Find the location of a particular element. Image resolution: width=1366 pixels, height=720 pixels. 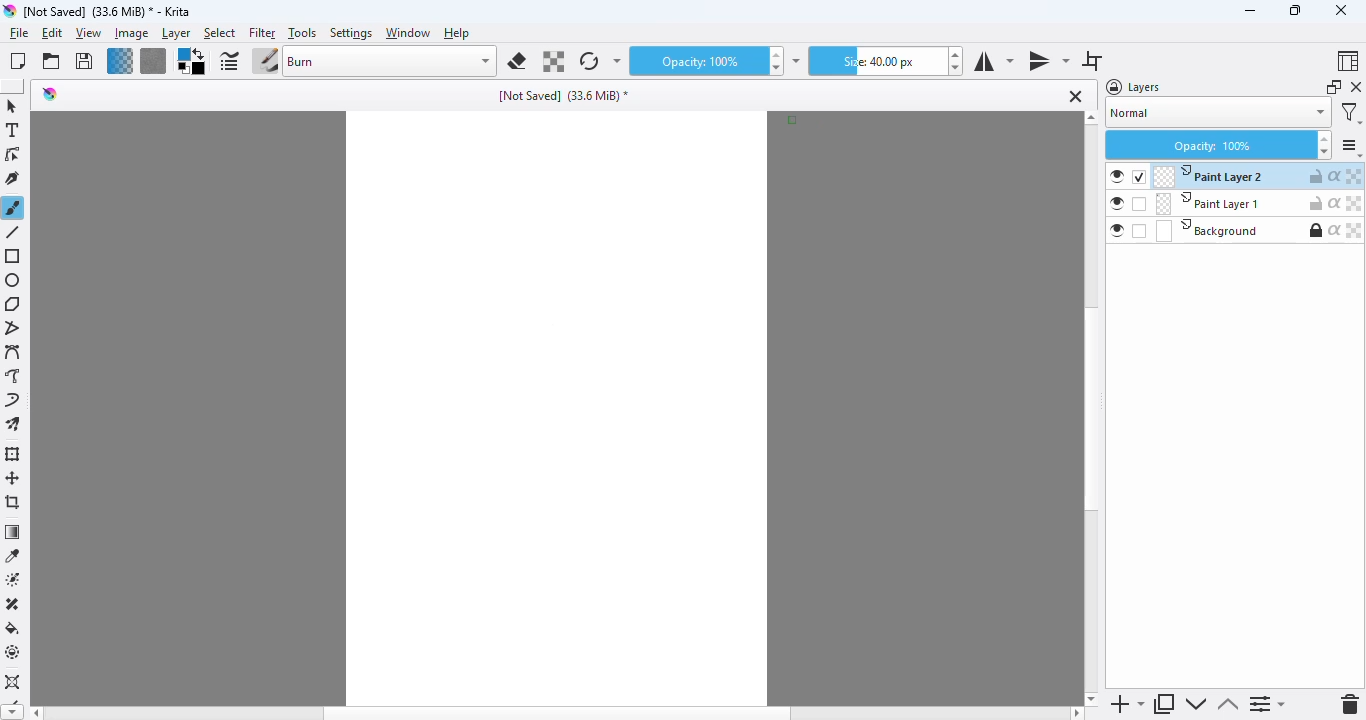

visibility is located at coordinates (1117, 203).